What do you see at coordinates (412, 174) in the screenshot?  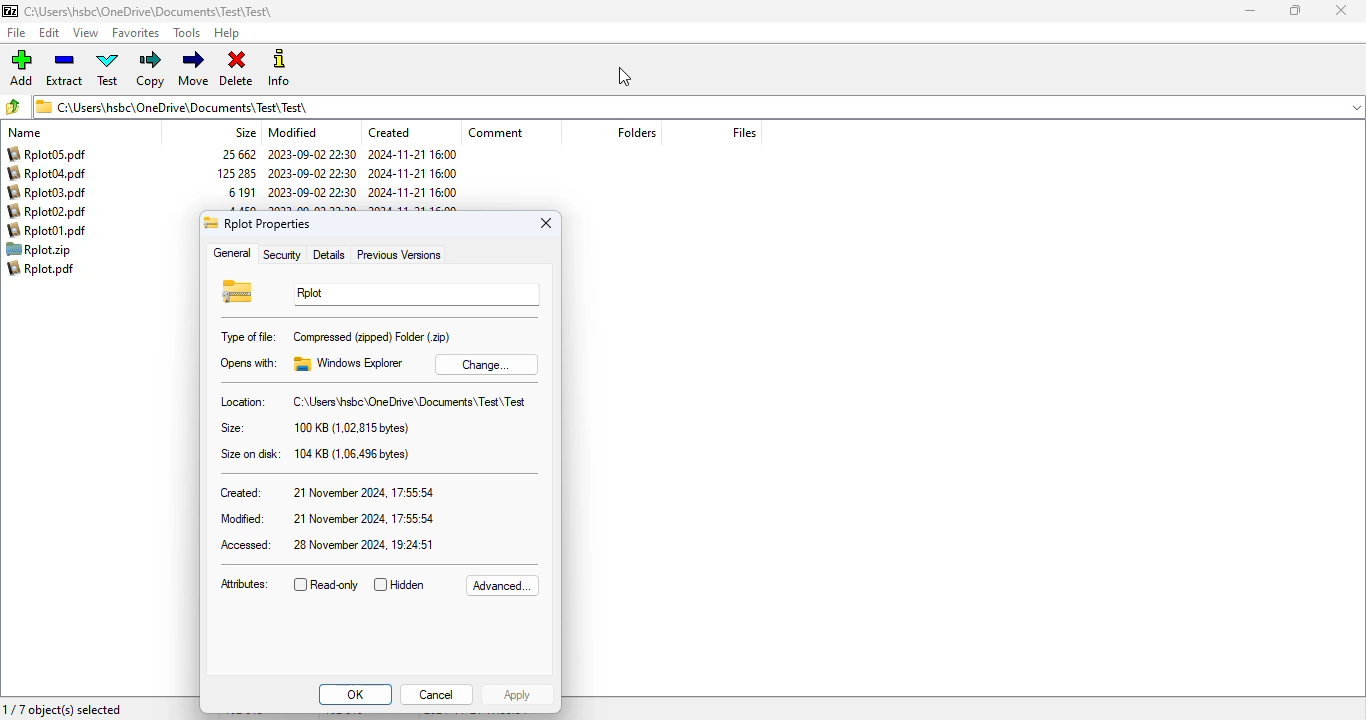 I see `created date & time` at bounding box center [412, 174].